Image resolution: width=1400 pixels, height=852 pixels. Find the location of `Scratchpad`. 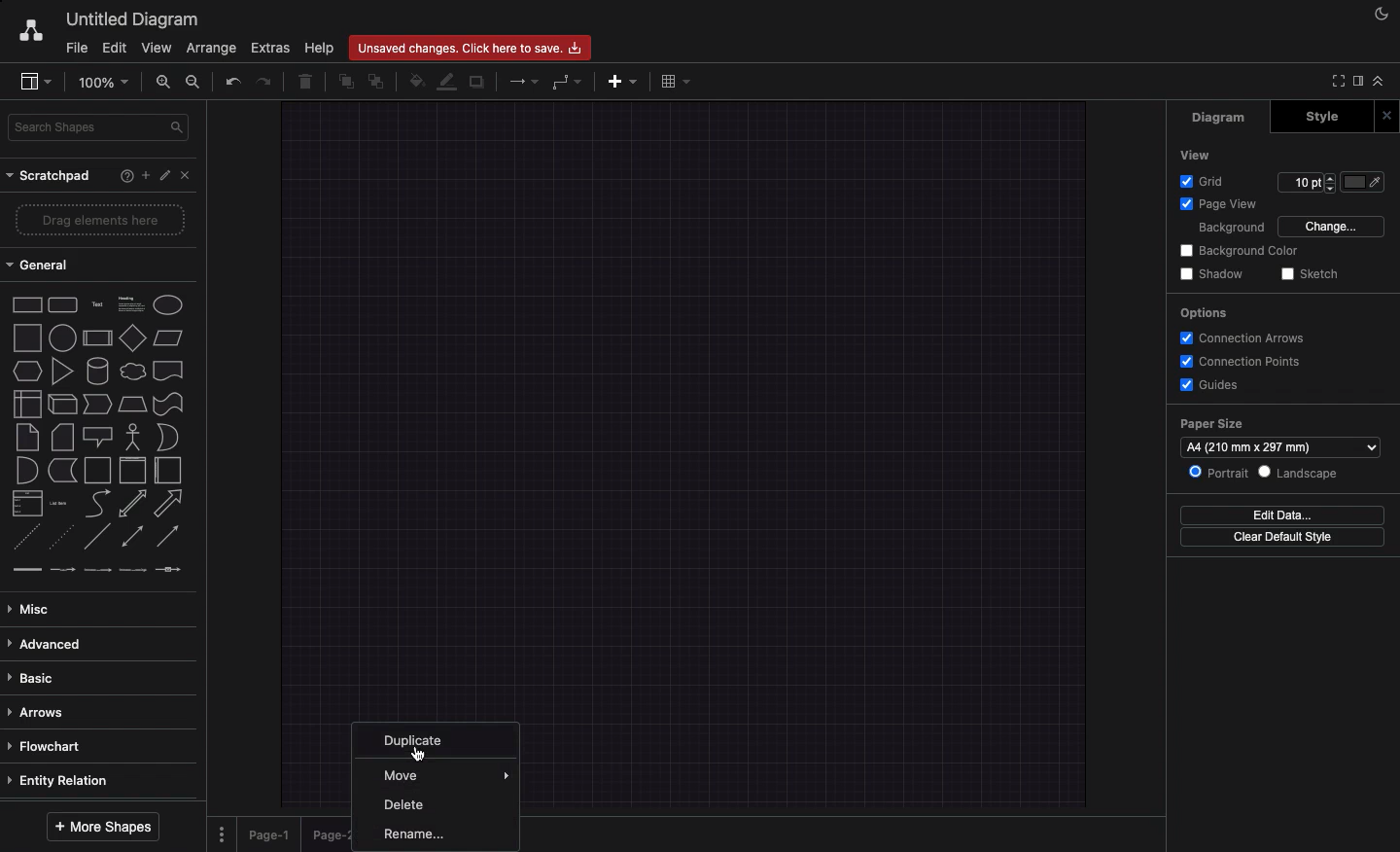

Scratchpad is located at coordinates (52, 177).